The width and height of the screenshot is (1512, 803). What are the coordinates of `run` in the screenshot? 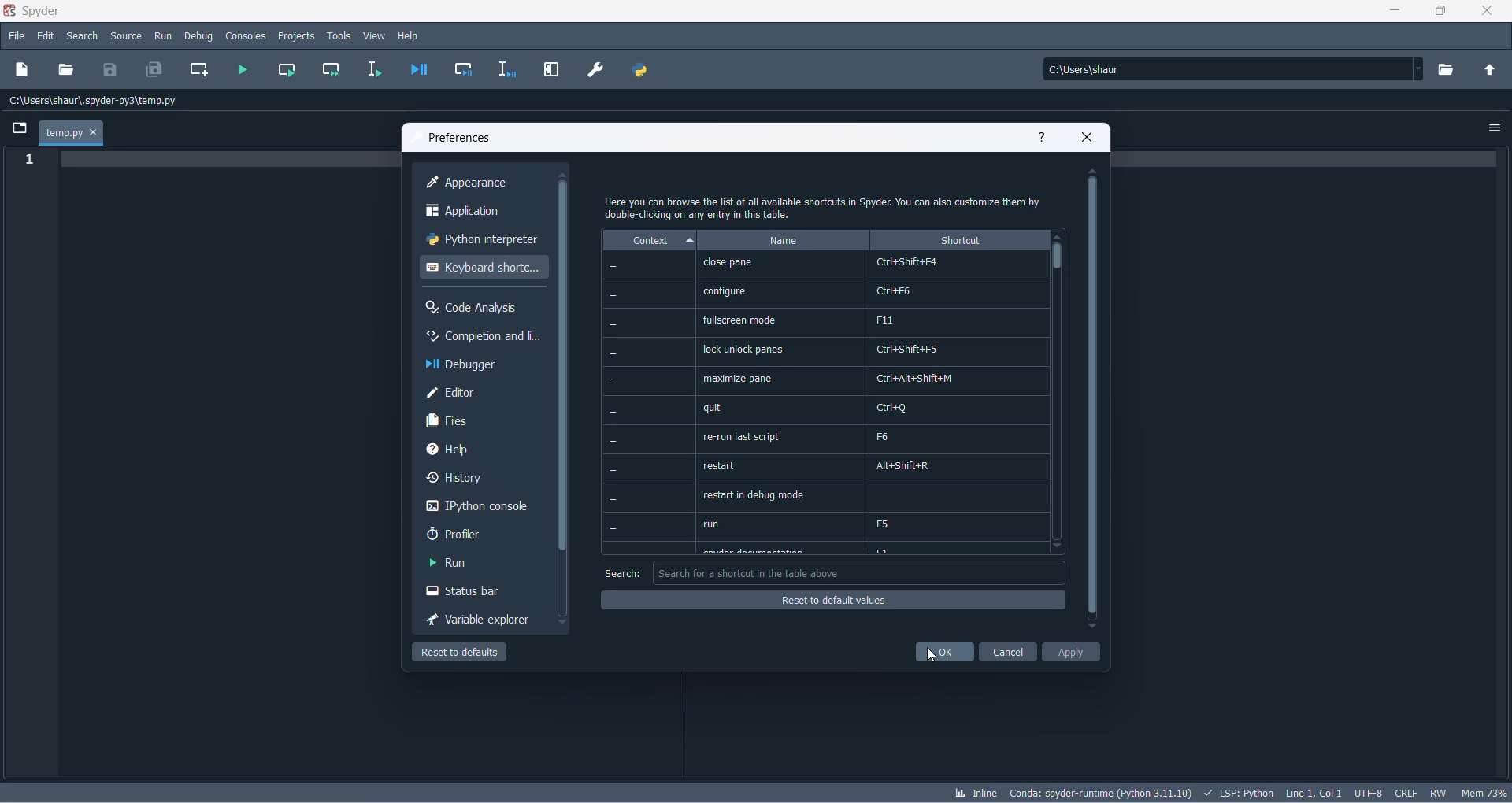 It's located at (160, 34).